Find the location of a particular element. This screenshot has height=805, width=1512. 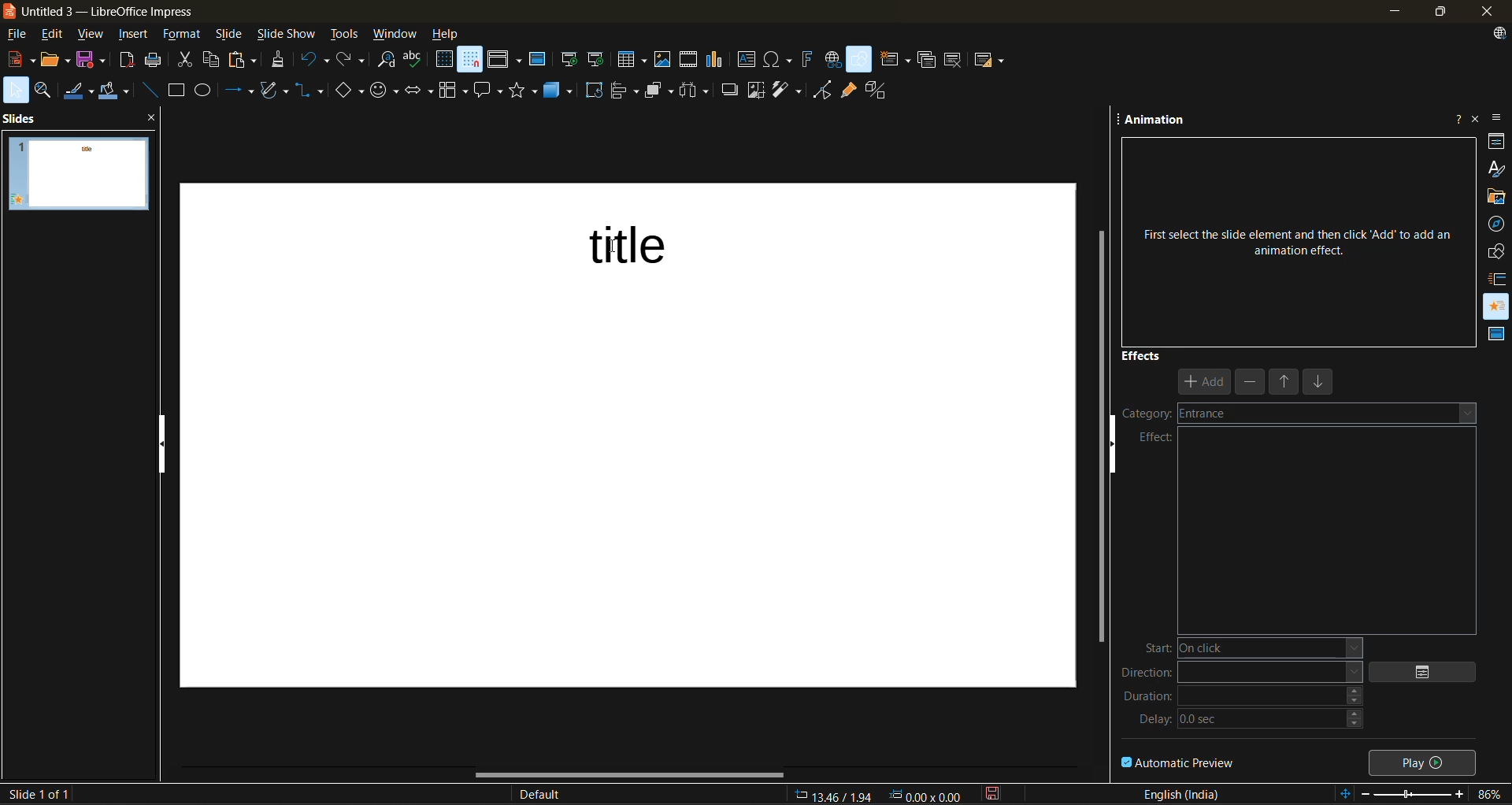

ellipse is located at coordinates (206, 92).